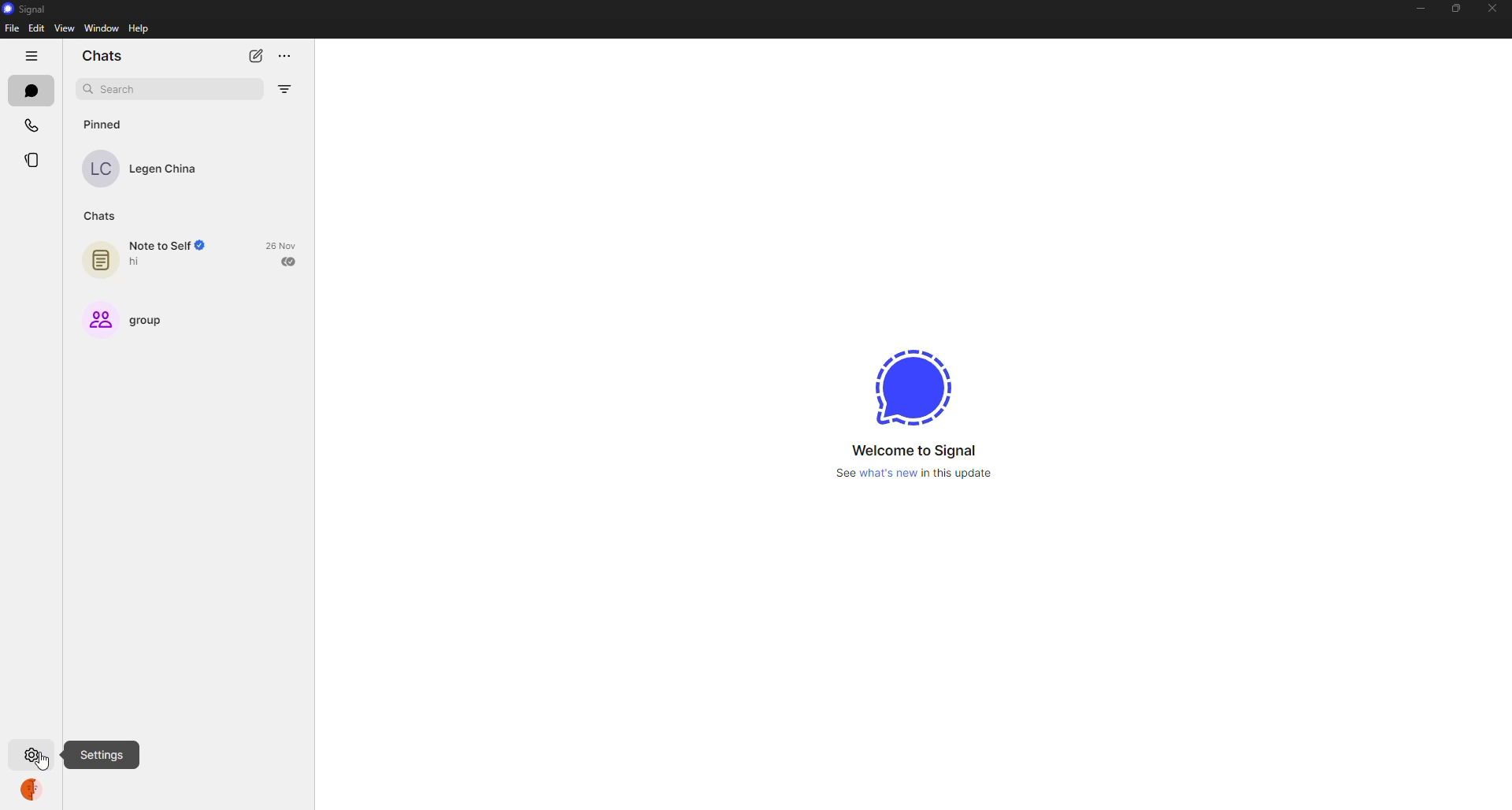 The height and width of the screenshot is (810, 1512). What do you see at coordinates (123, 88) in the screenshot?
I see `search` at bounding box center [123, 88].